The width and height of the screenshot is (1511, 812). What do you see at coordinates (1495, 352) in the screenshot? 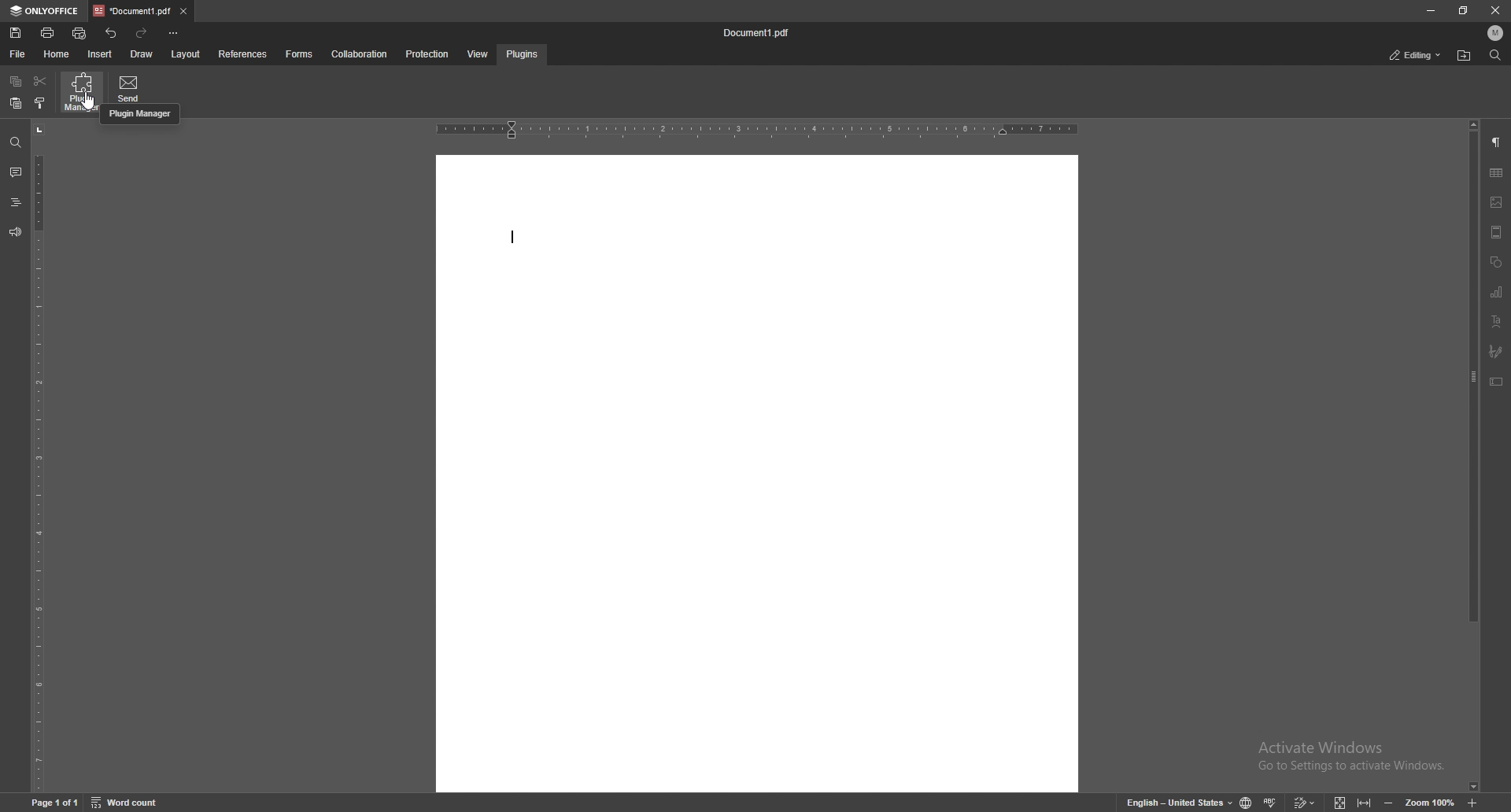
I see `signature` at bounding box center [1495, 352].